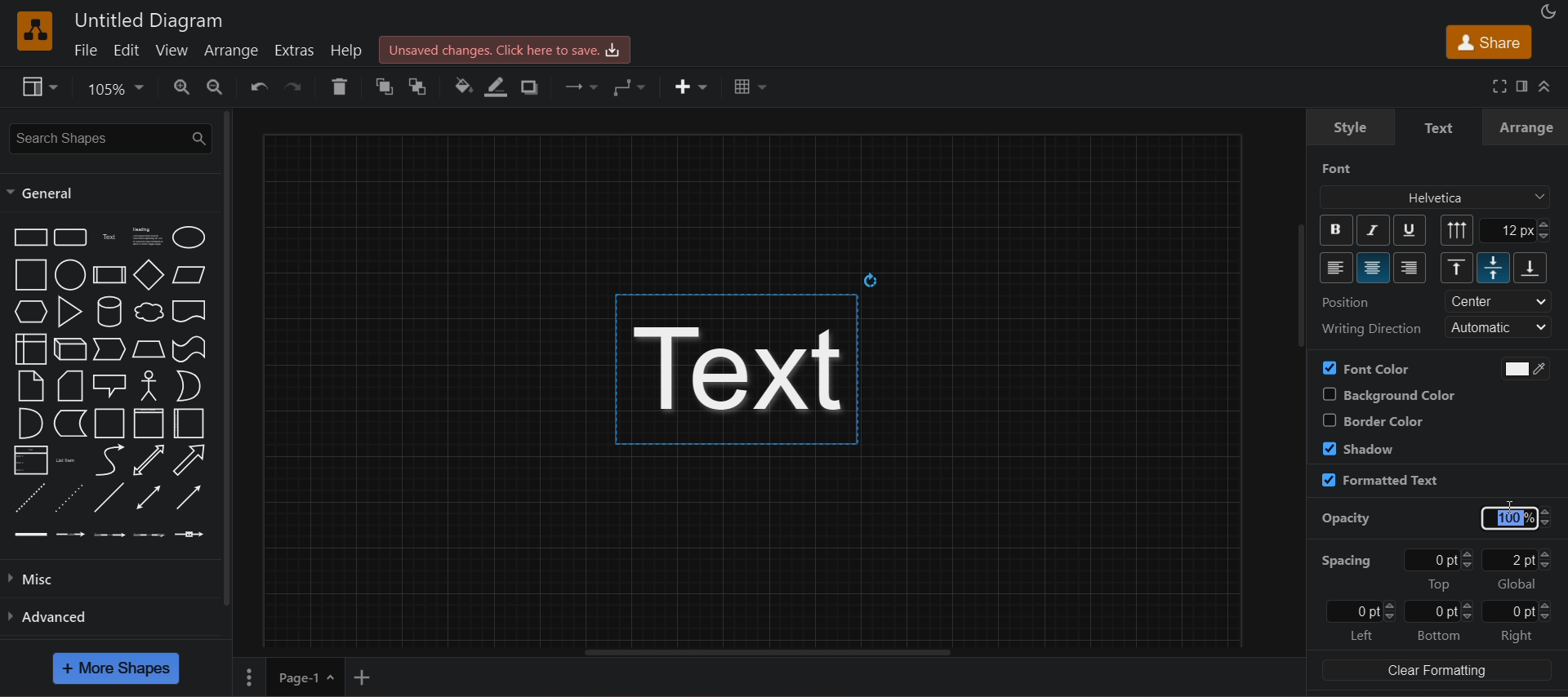  Describe the element at coordinates (632, 87) in the screenshot. I see `waypoints` at that location.